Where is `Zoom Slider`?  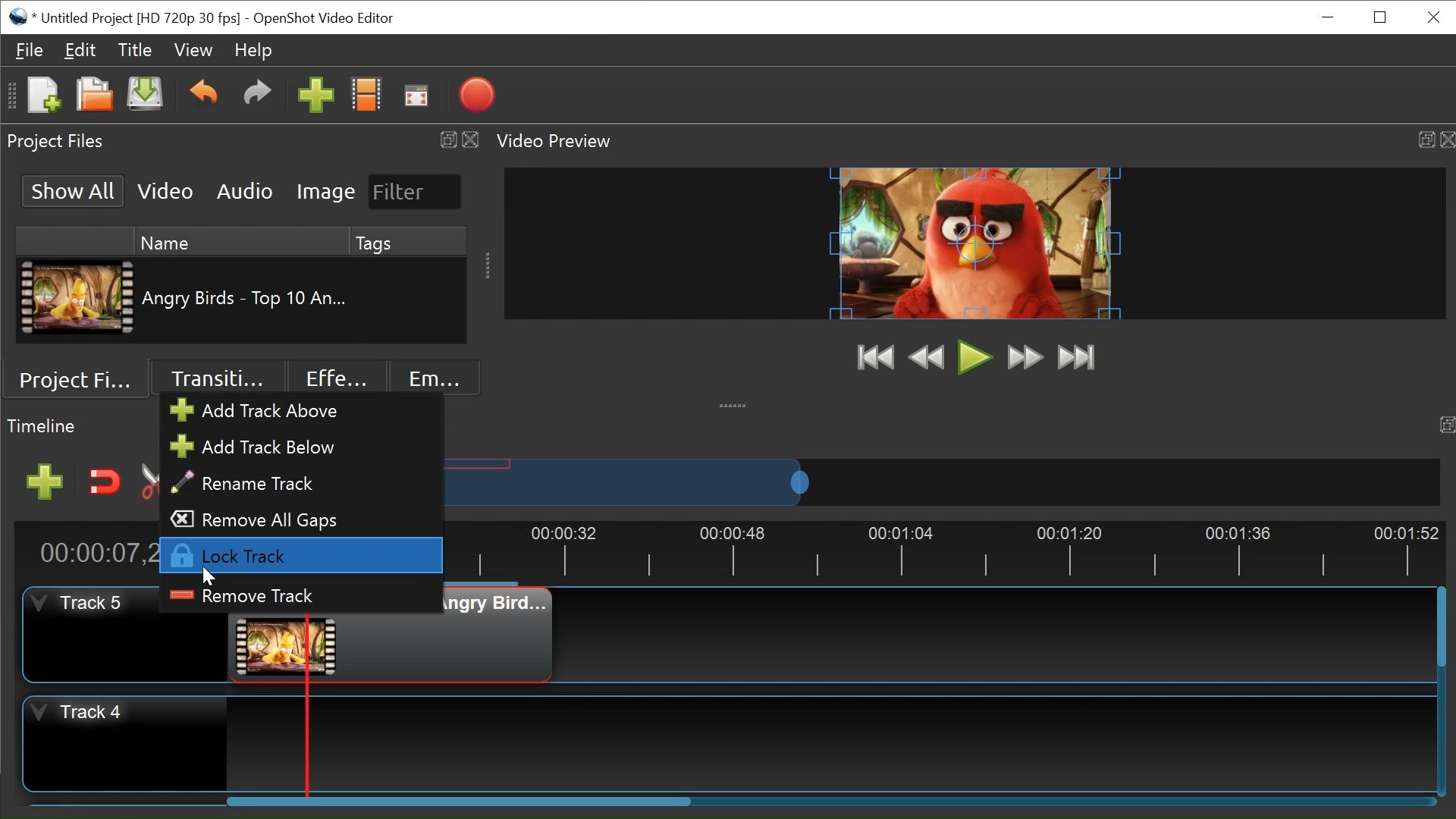 Zoom Slider is located at coordinates (943, 482).